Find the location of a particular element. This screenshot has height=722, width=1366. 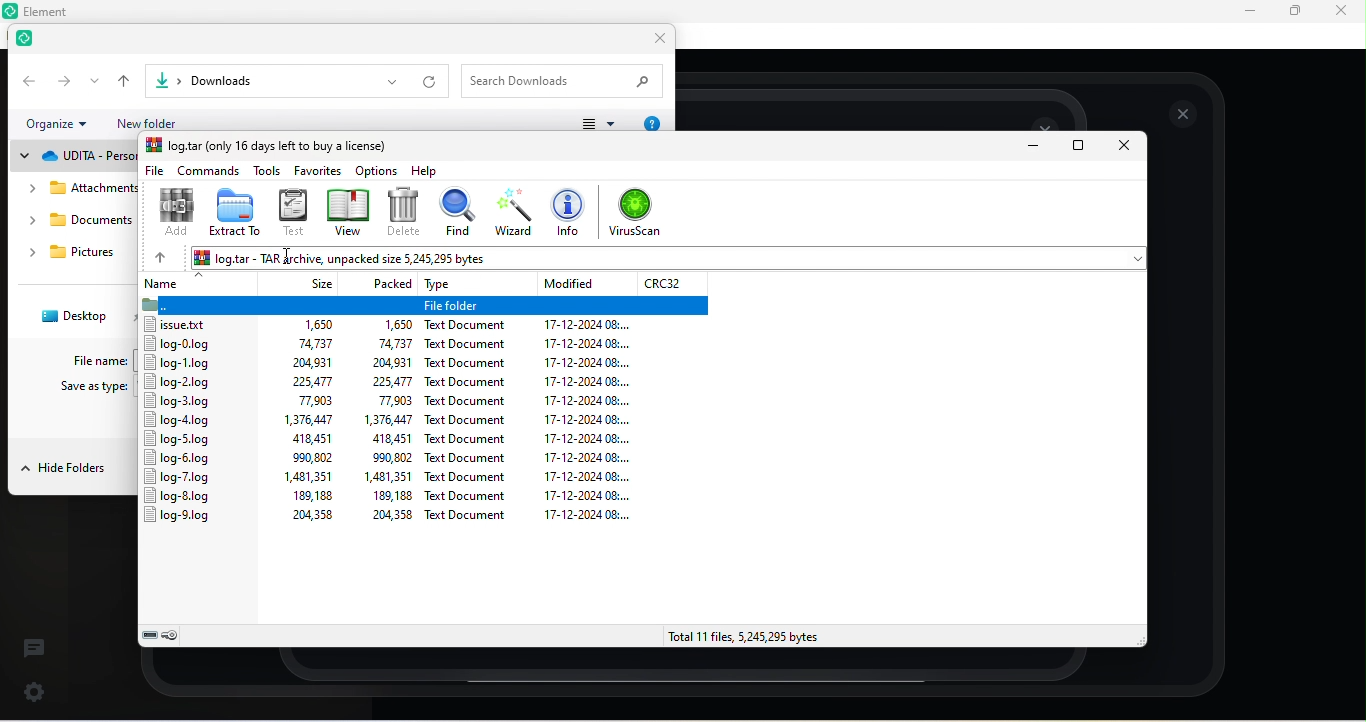

wizard is located at coordinates (509, 212).